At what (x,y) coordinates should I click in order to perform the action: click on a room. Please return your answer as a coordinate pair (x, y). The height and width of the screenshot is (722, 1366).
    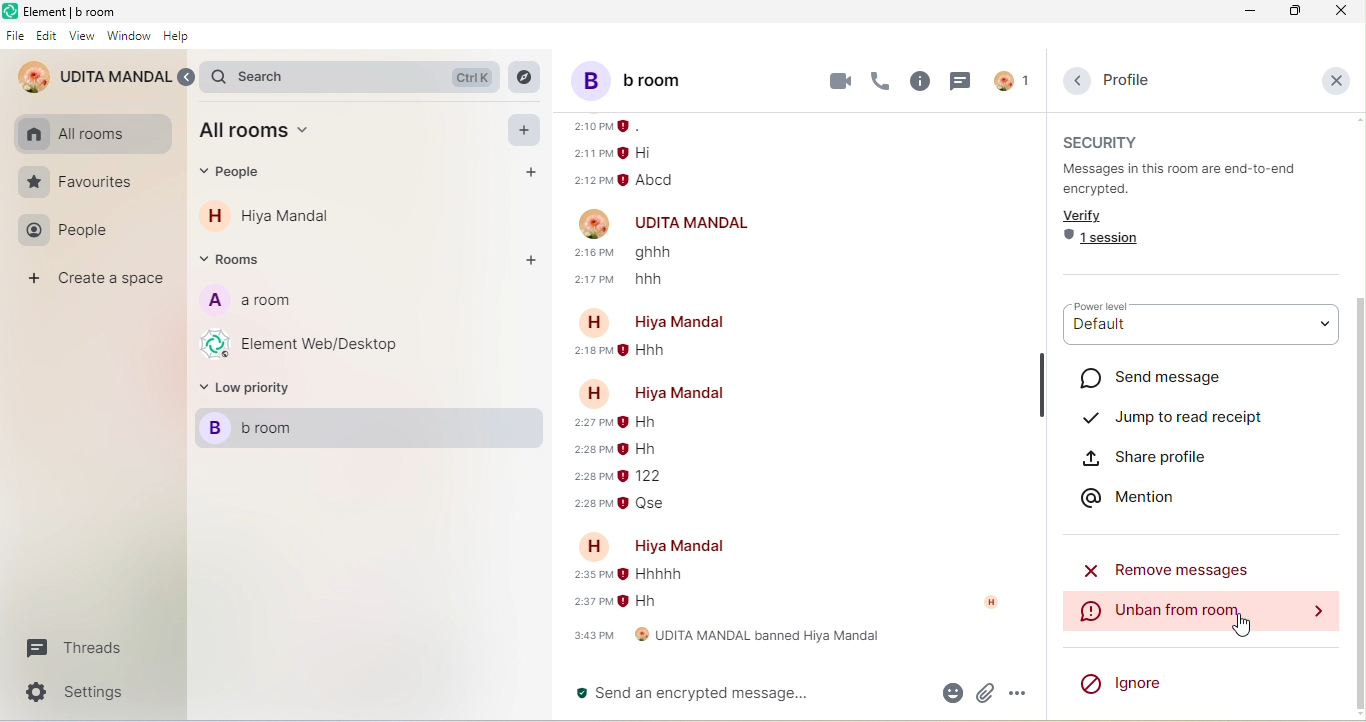
    Looking at the image, I should click on (247, 303).